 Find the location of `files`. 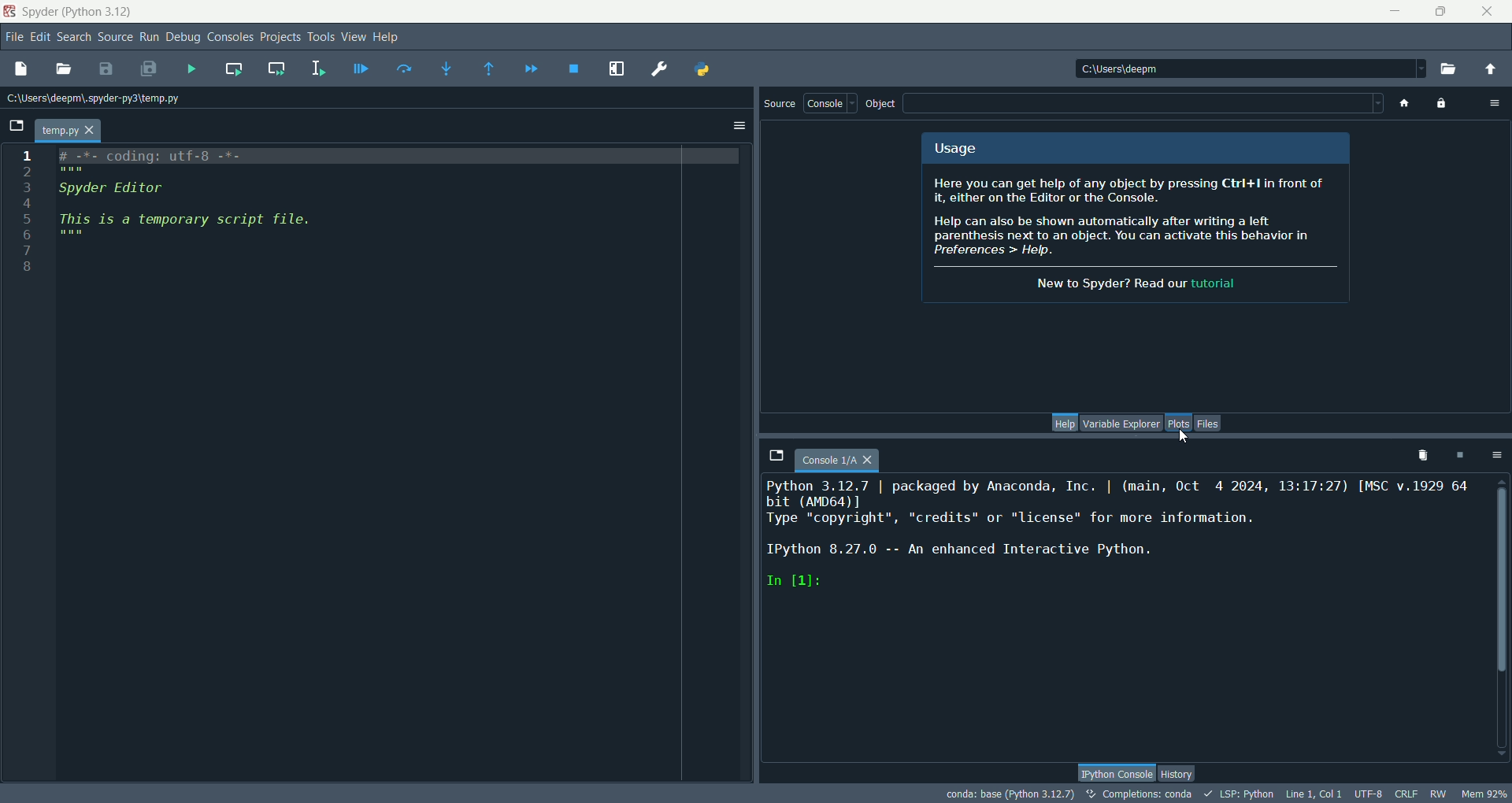

files is located at coordinates (1210, 422).